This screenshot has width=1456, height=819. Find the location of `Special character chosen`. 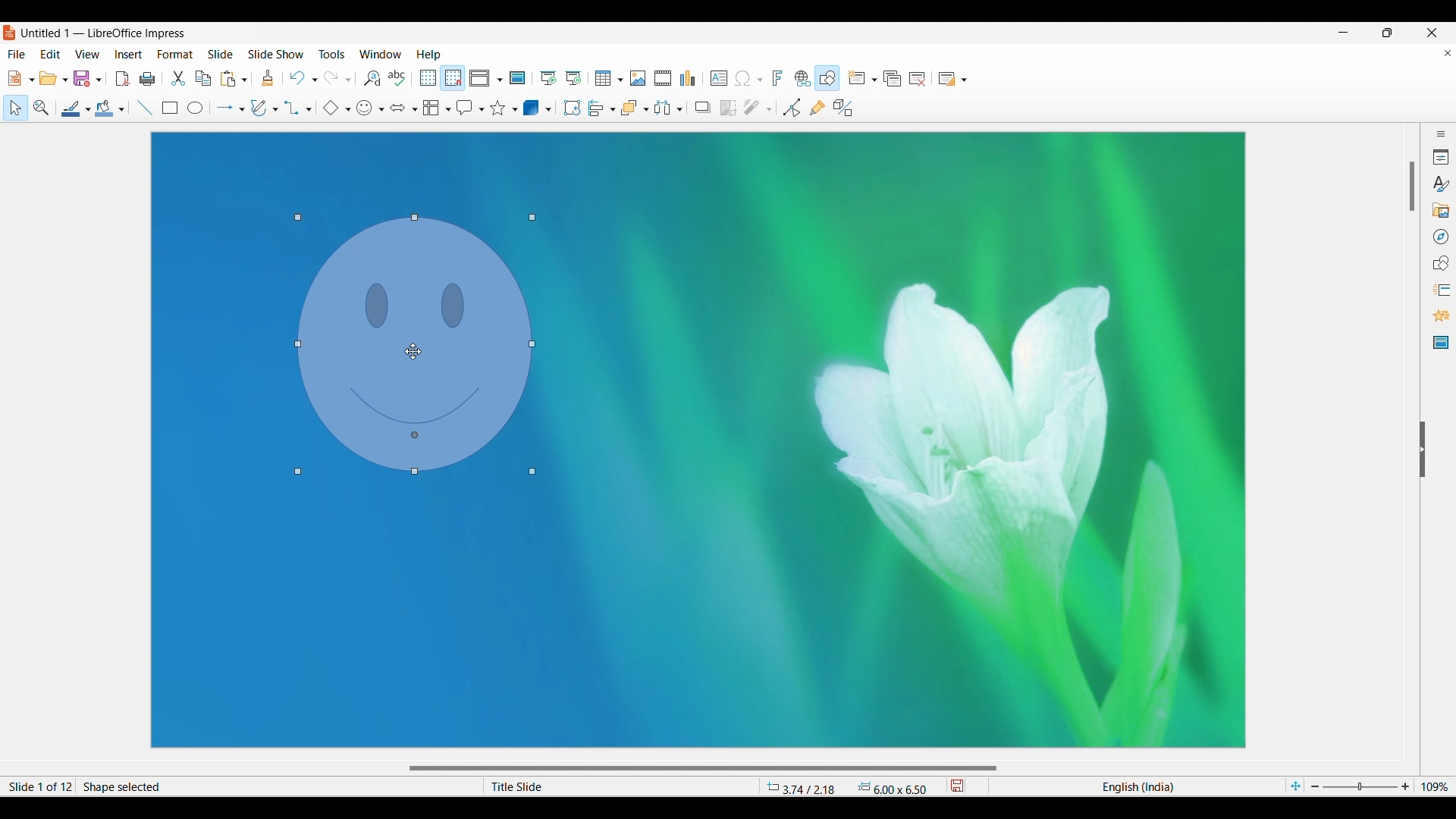

Special character chosen is located at coordinates (742, 79).